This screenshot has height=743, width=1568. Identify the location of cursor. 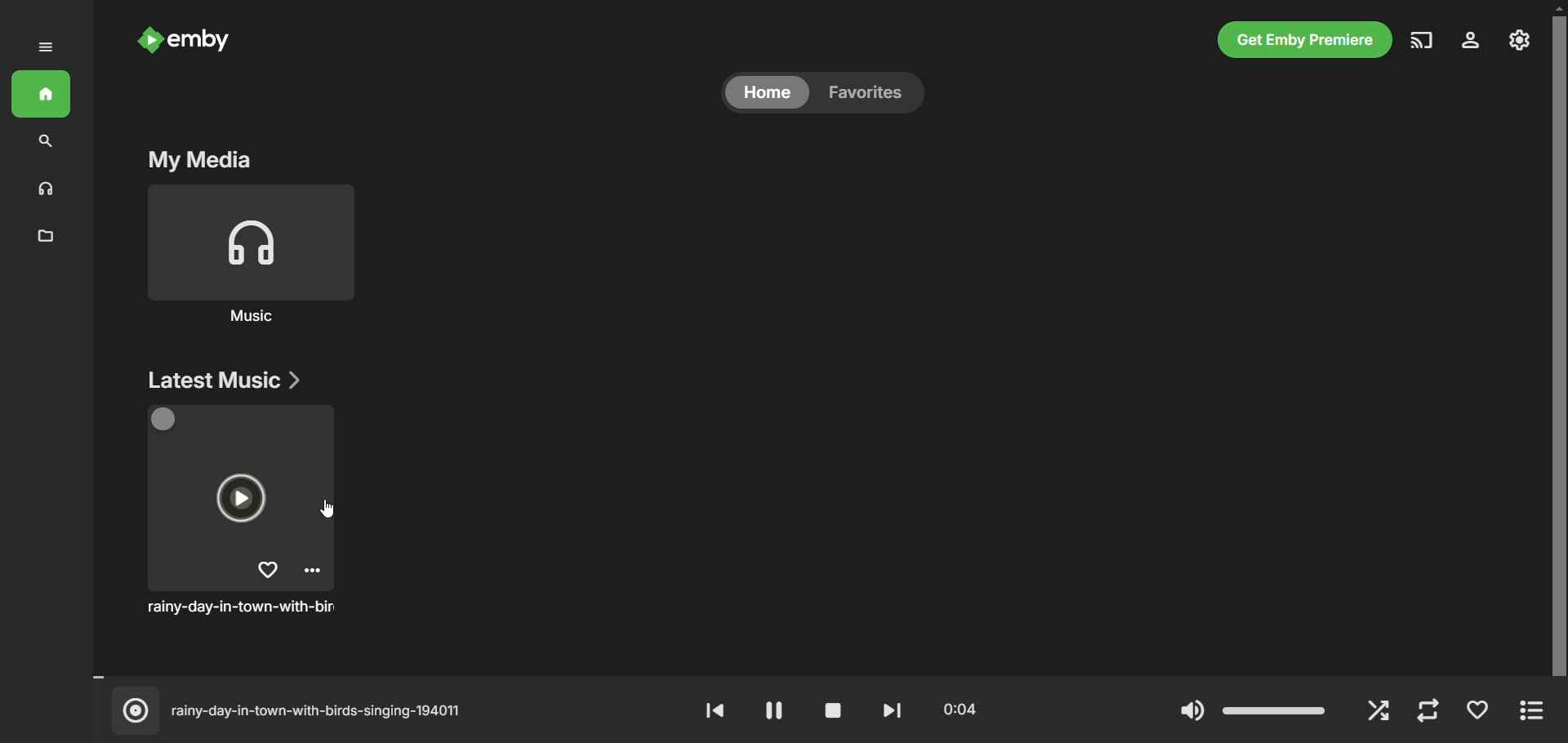
(327, 509).